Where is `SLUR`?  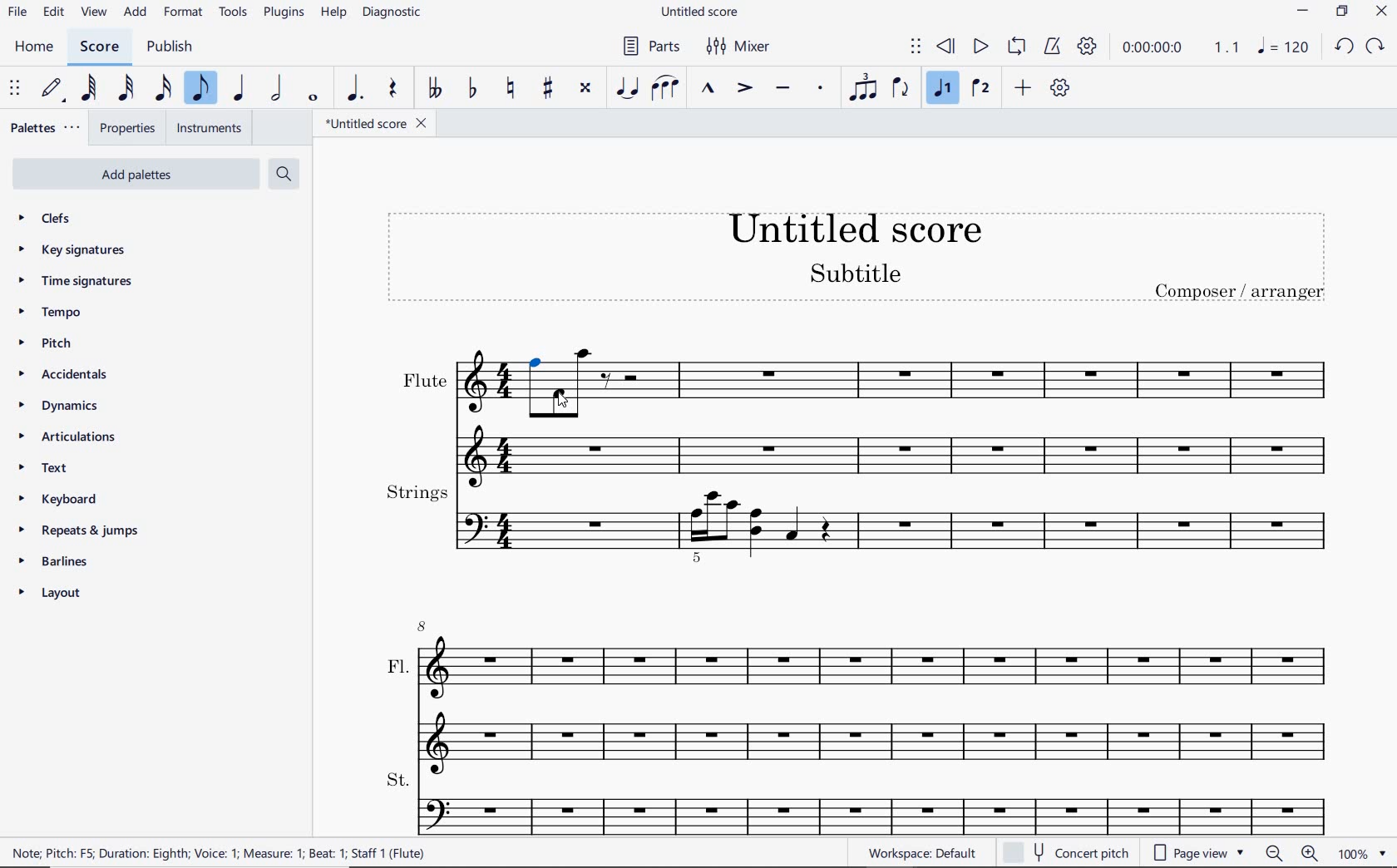
SLUR is located at coordinates (665, 89).